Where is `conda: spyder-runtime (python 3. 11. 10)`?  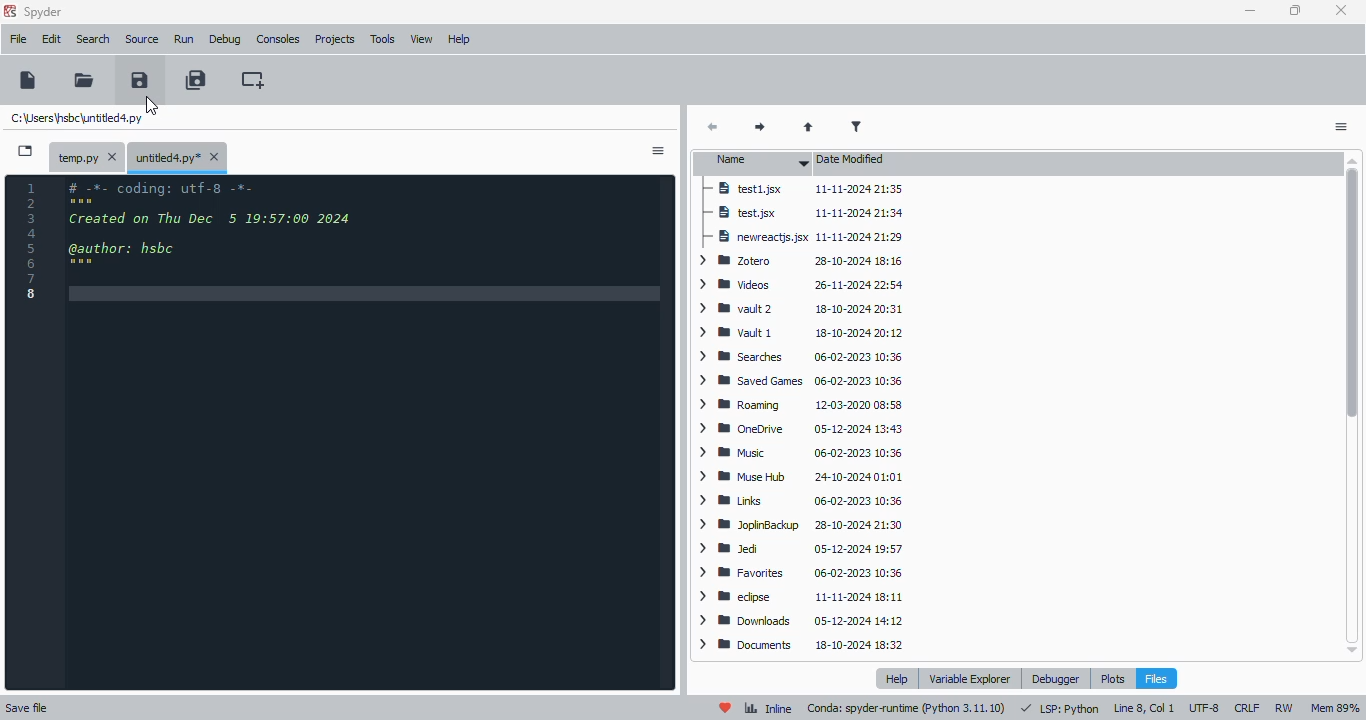
conda: spyder-runtime (python 3. 11. 10) is located at coordinates (907, 709).